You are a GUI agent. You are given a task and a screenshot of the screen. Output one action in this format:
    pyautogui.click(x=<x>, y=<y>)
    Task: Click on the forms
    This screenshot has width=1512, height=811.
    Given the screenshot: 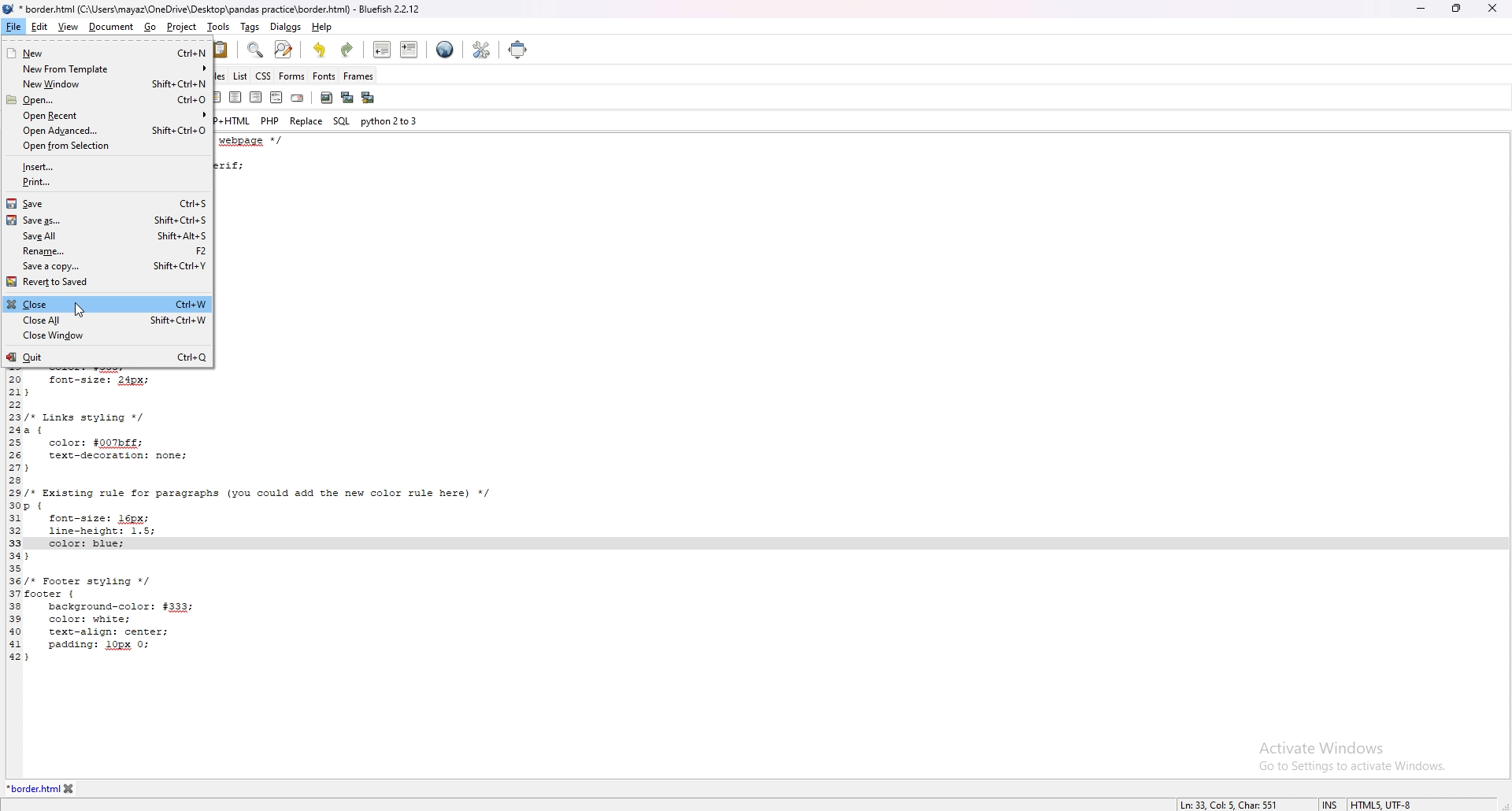 What is the action you would take?
    pyautogui.click(x=292, y=76)
    